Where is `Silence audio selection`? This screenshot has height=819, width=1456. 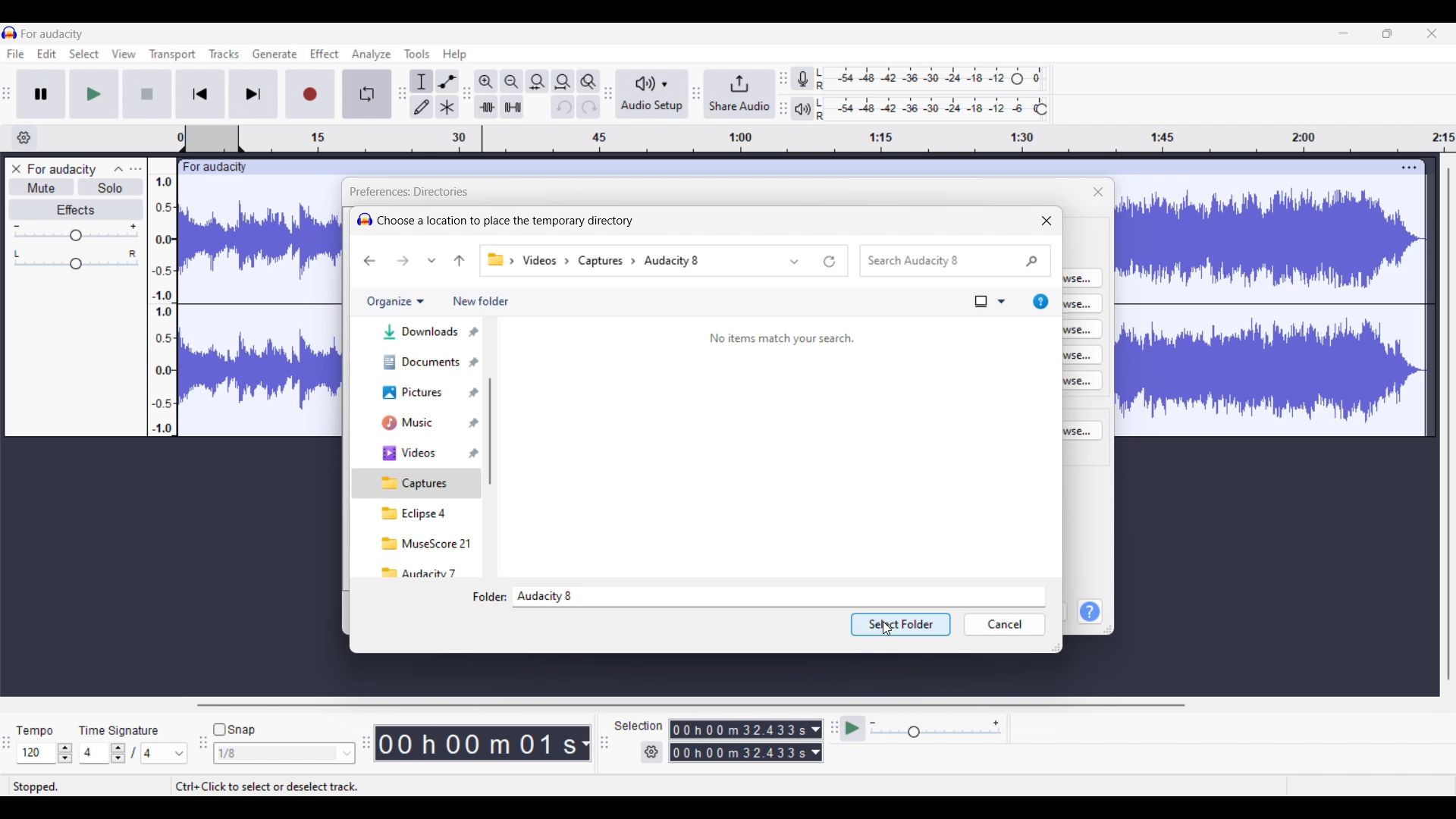 Silence audio selection is located at coordinates (512, 107).